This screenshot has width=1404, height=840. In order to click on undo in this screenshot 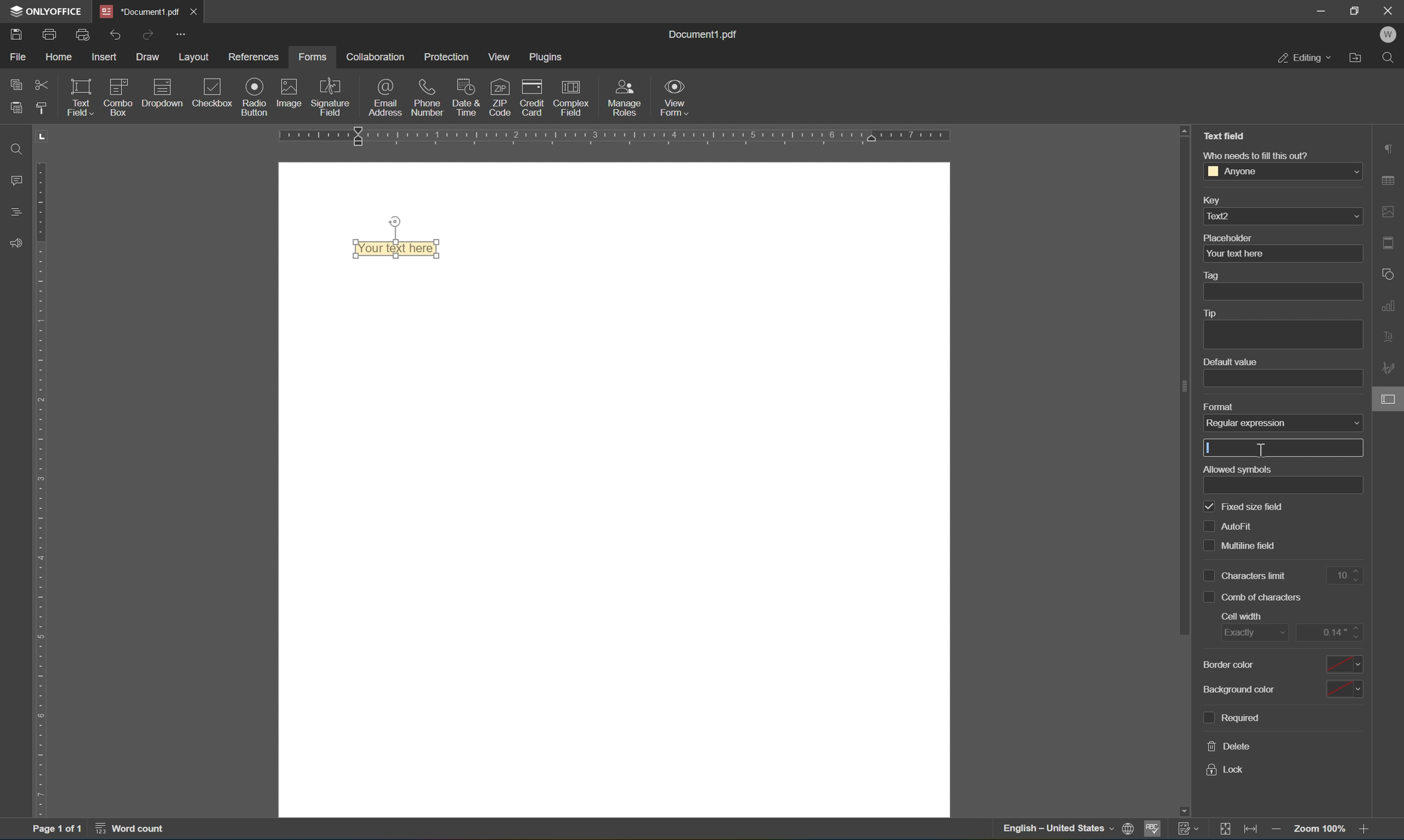, I will do `click(116, 35)`.